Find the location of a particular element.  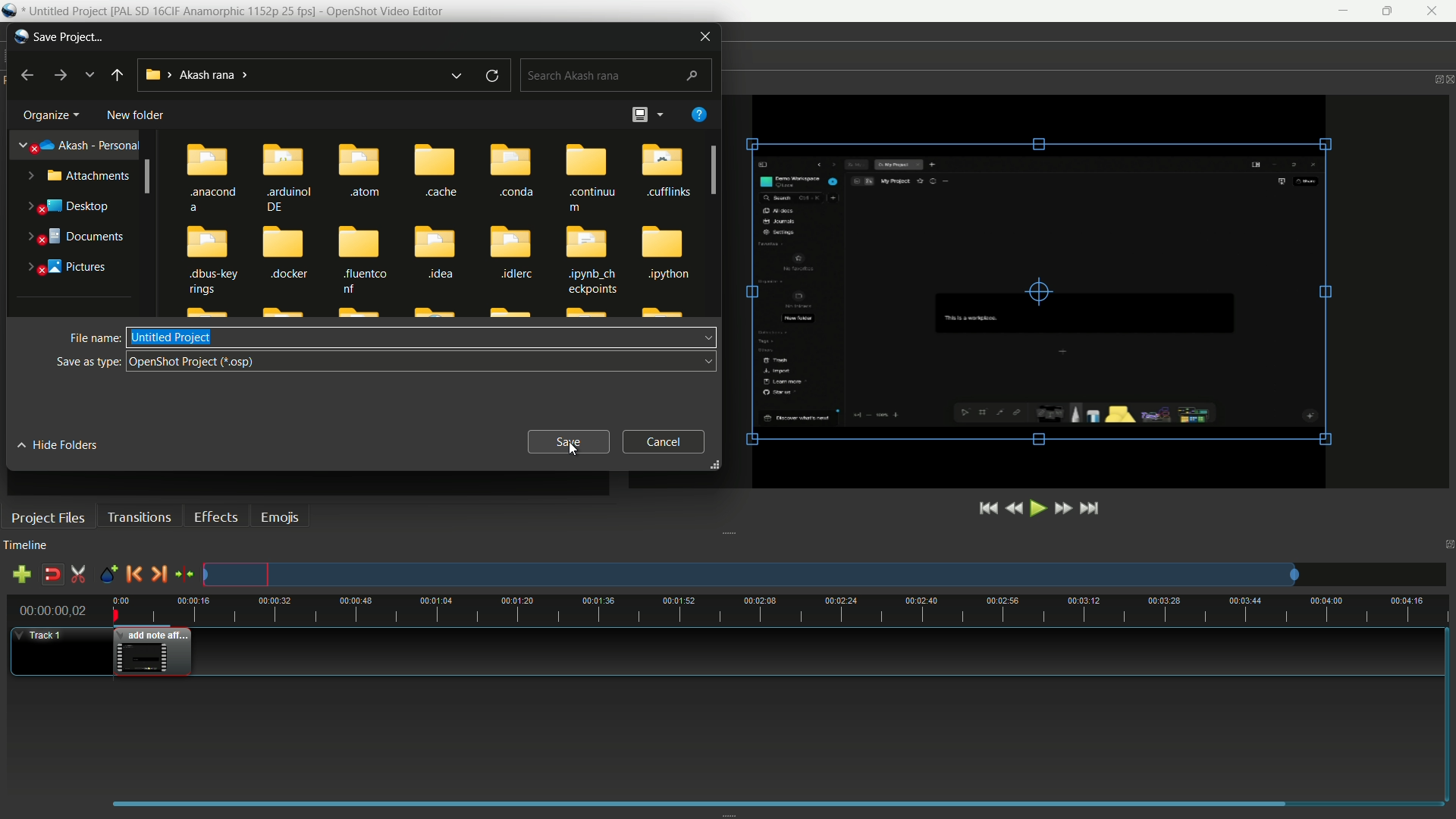

desktop is located at coordinates (66, 207).